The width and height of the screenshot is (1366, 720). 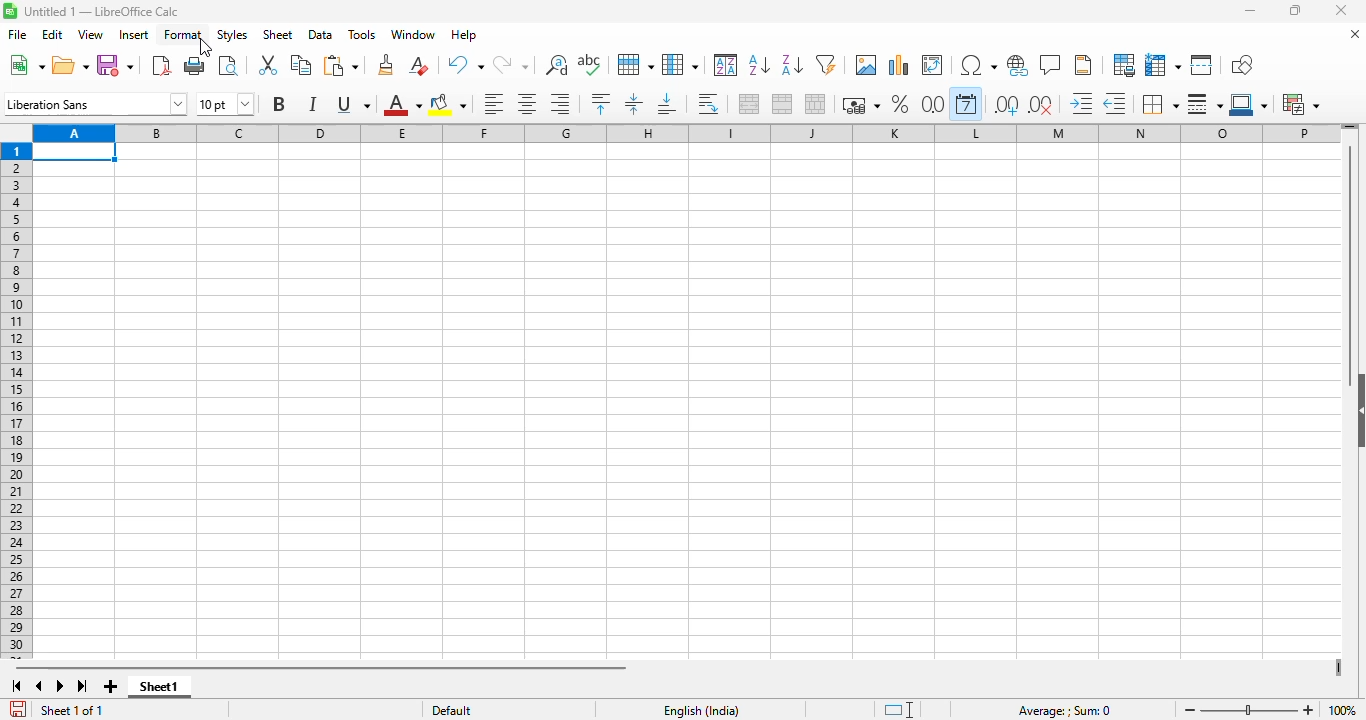 What do you see at coordinates (134, 35) in the screenshot?
I see `insert` at bounding box center [134, 35].